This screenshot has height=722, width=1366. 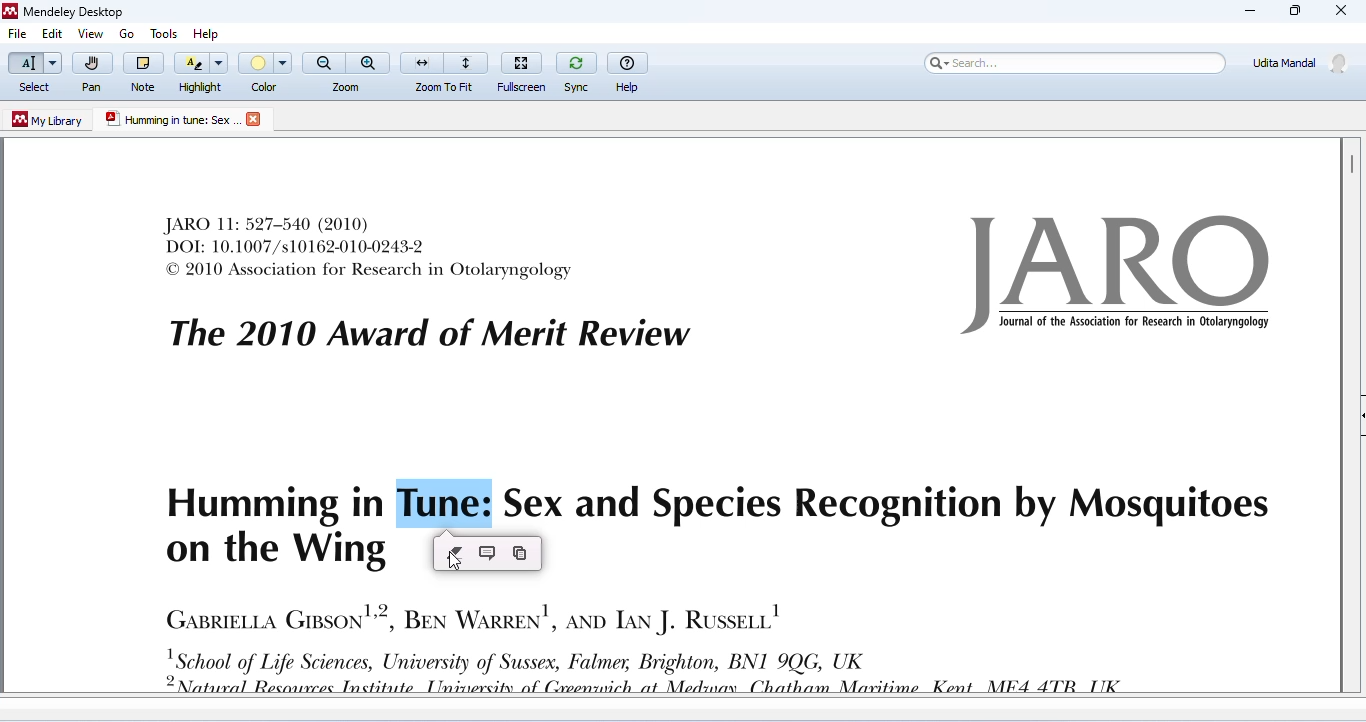 I want to click on help, so click(x=629, y=70).